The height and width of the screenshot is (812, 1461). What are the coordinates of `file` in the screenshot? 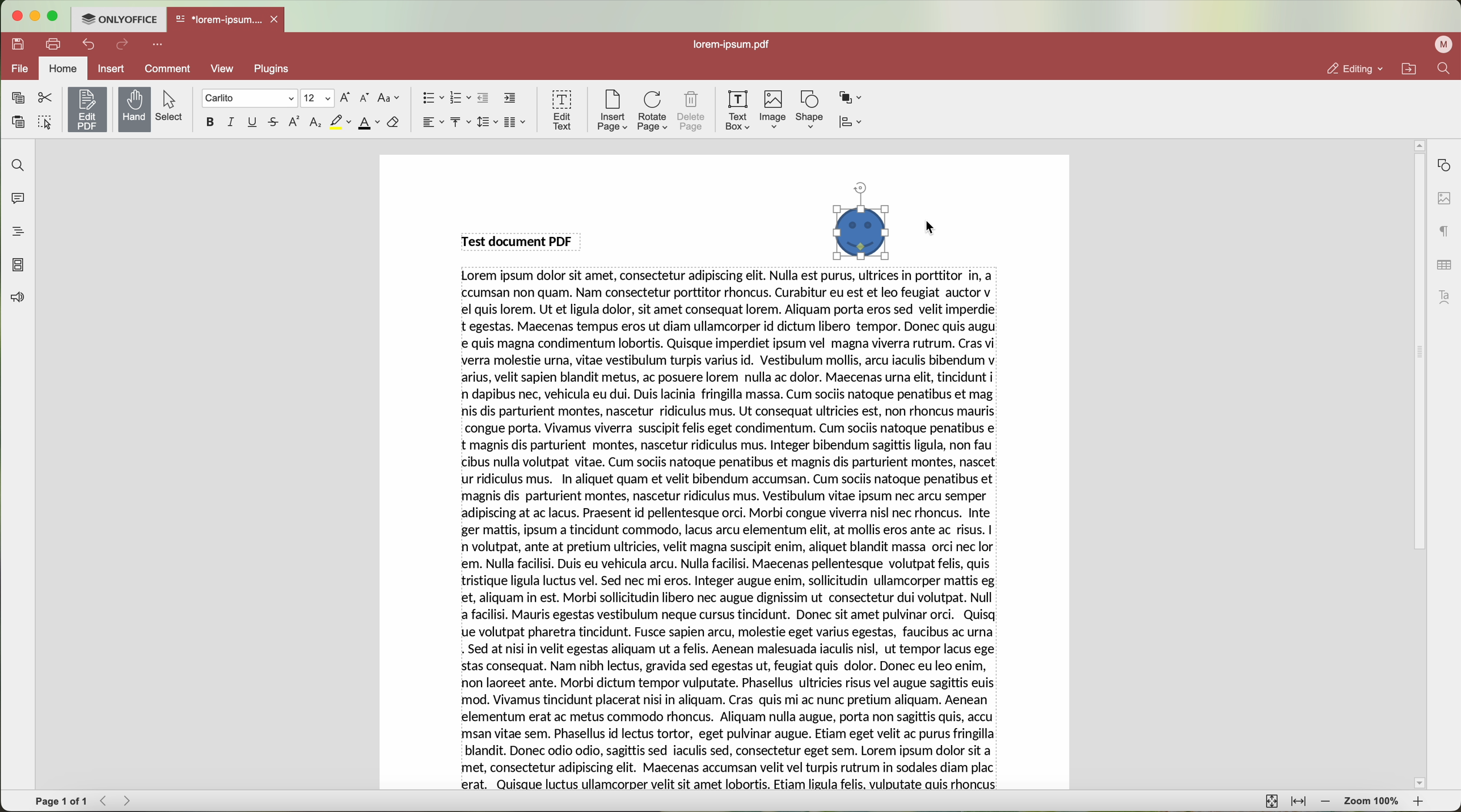 It's located at (19, 68).